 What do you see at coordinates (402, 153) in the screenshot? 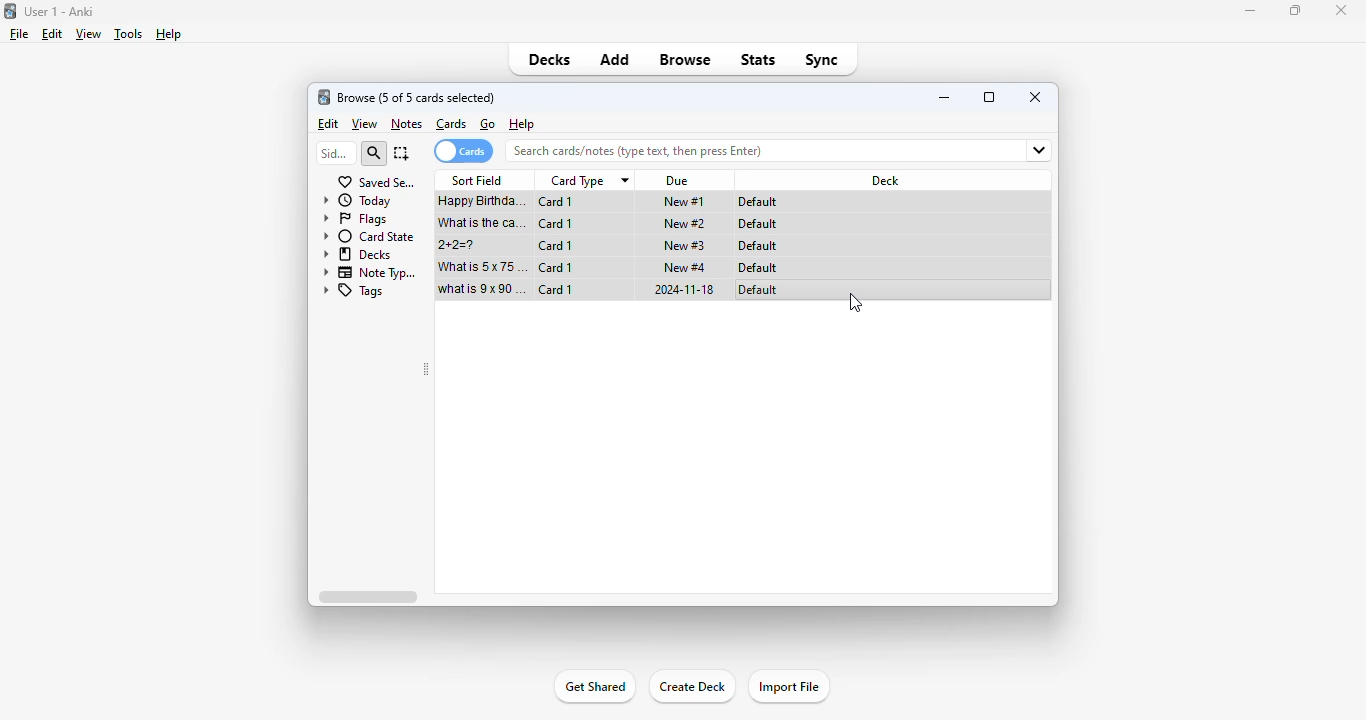
I see `select` at bounding box center [402, 153].